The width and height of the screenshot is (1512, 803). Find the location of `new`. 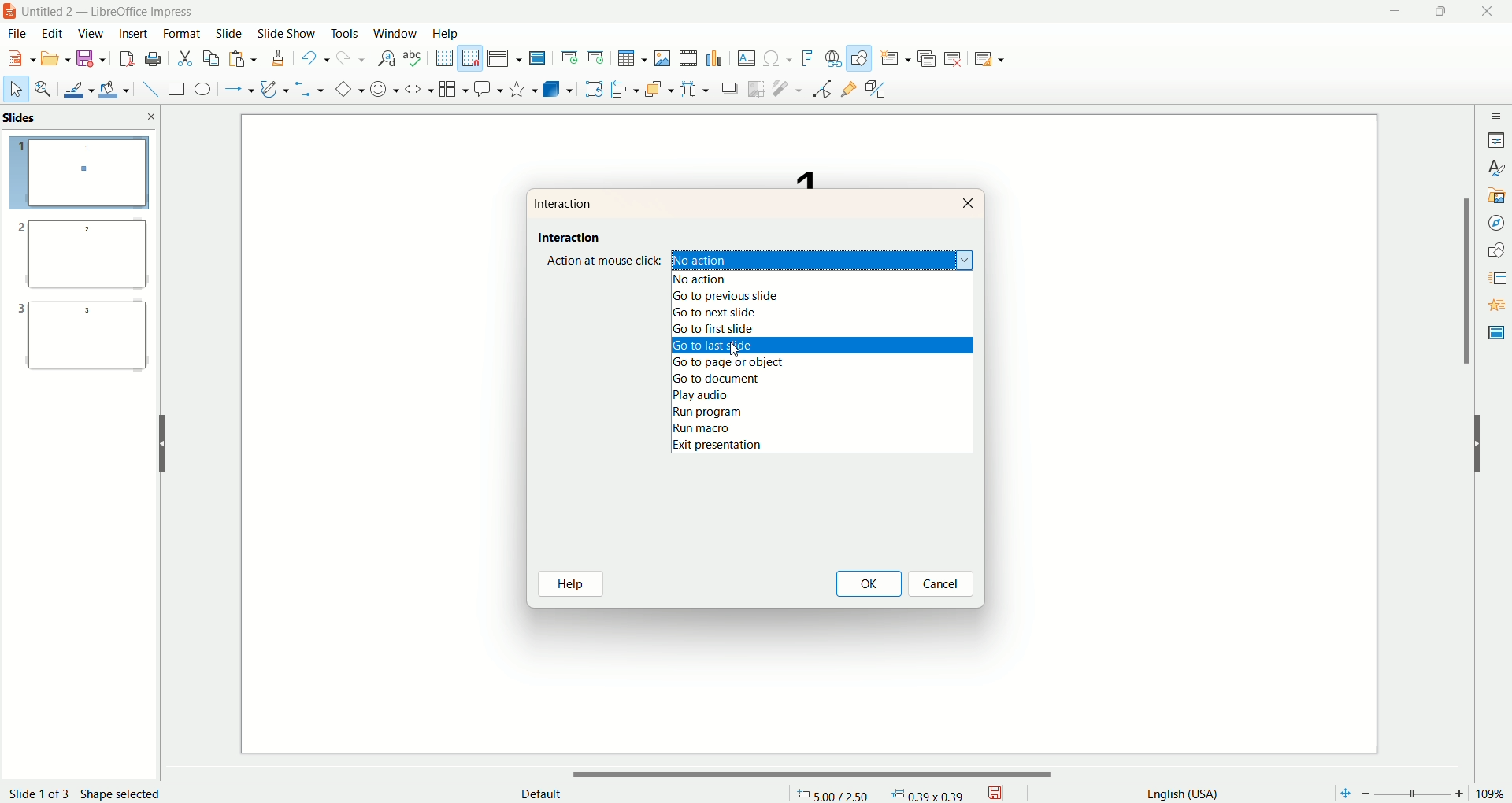

new is located at coordinates (21, 57).